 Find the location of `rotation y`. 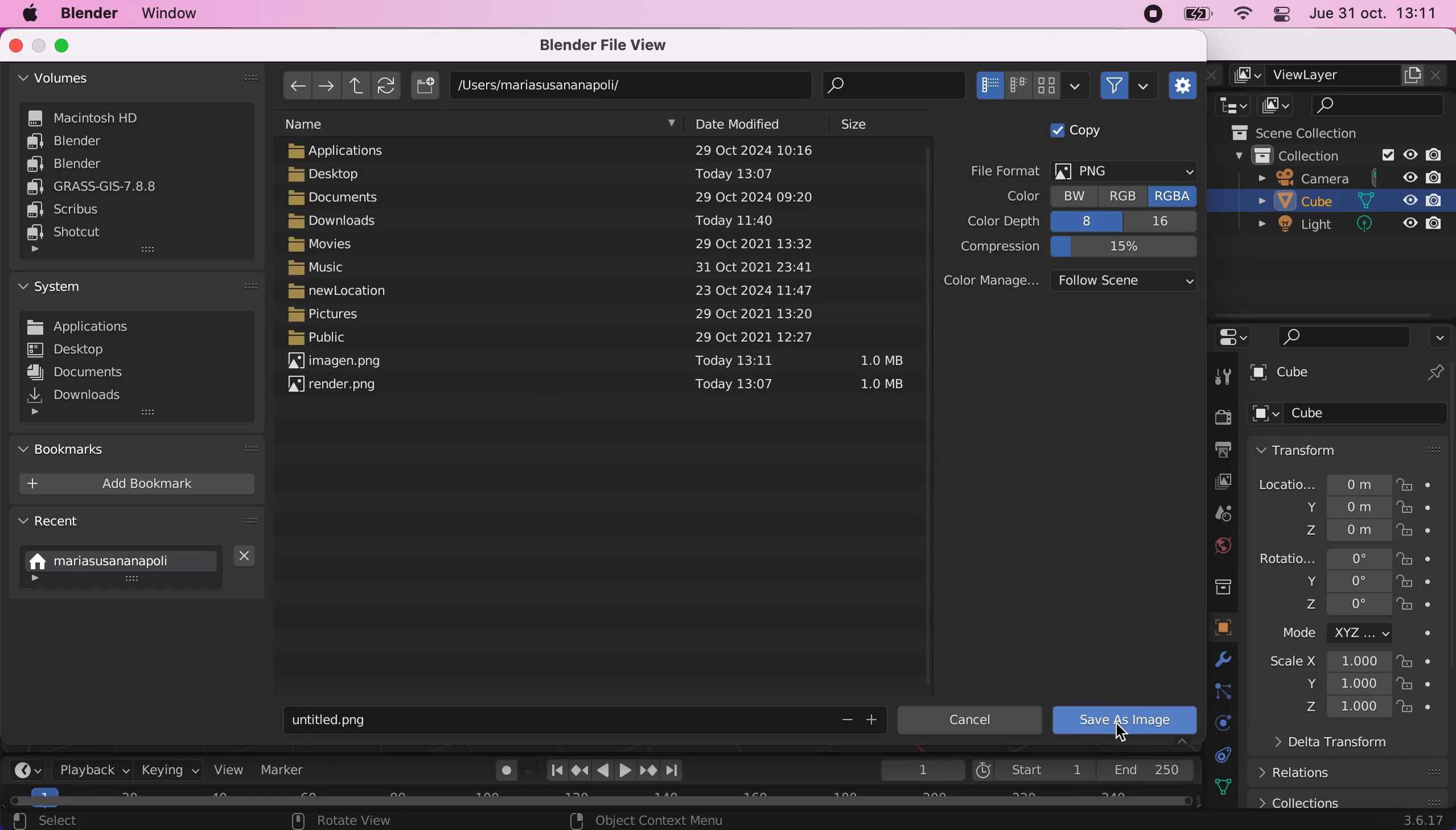

rotation y is located at coordinates (1335, 583).